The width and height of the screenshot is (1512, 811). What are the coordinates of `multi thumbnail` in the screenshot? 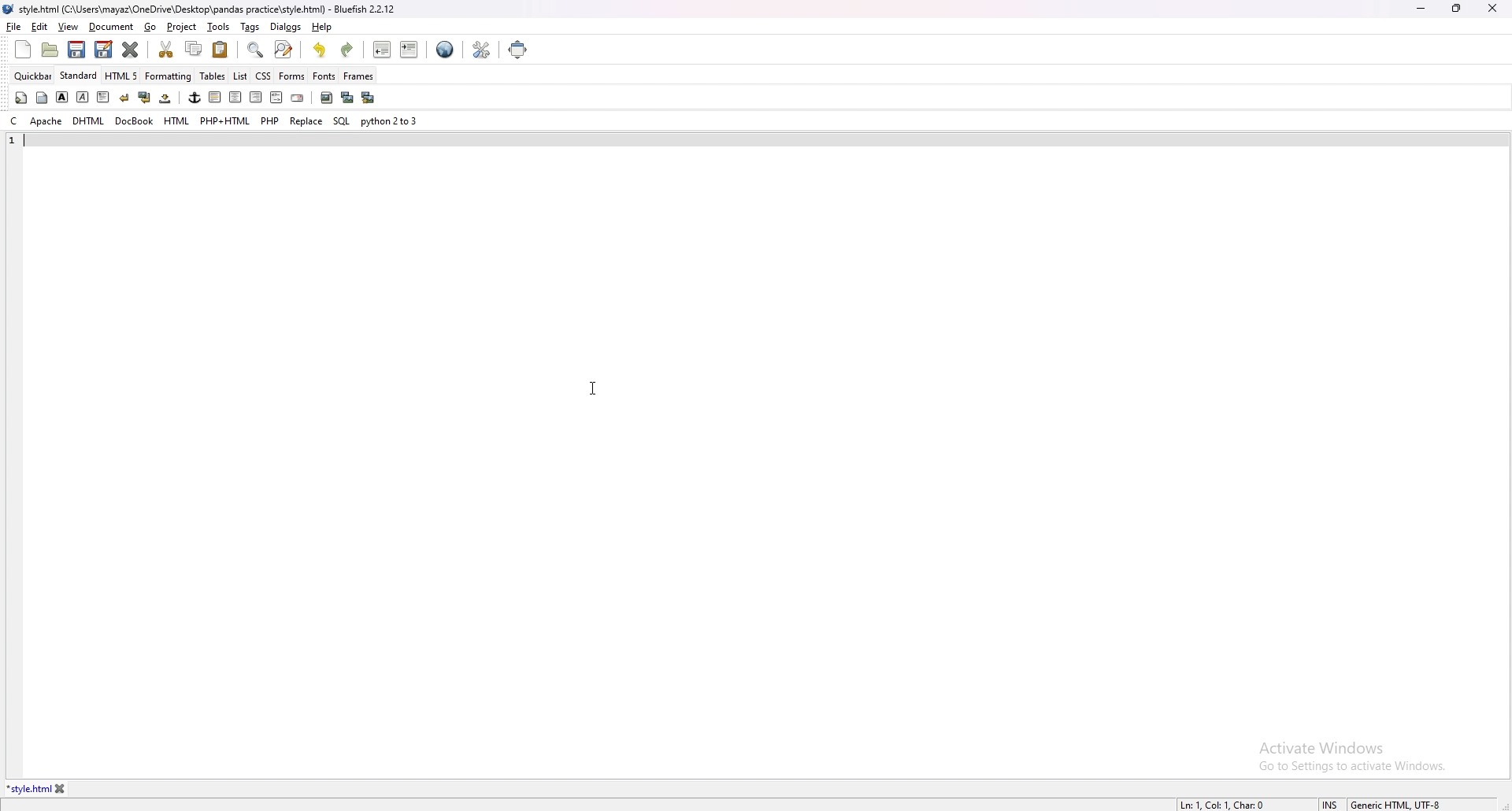 It's located at (367, 97).